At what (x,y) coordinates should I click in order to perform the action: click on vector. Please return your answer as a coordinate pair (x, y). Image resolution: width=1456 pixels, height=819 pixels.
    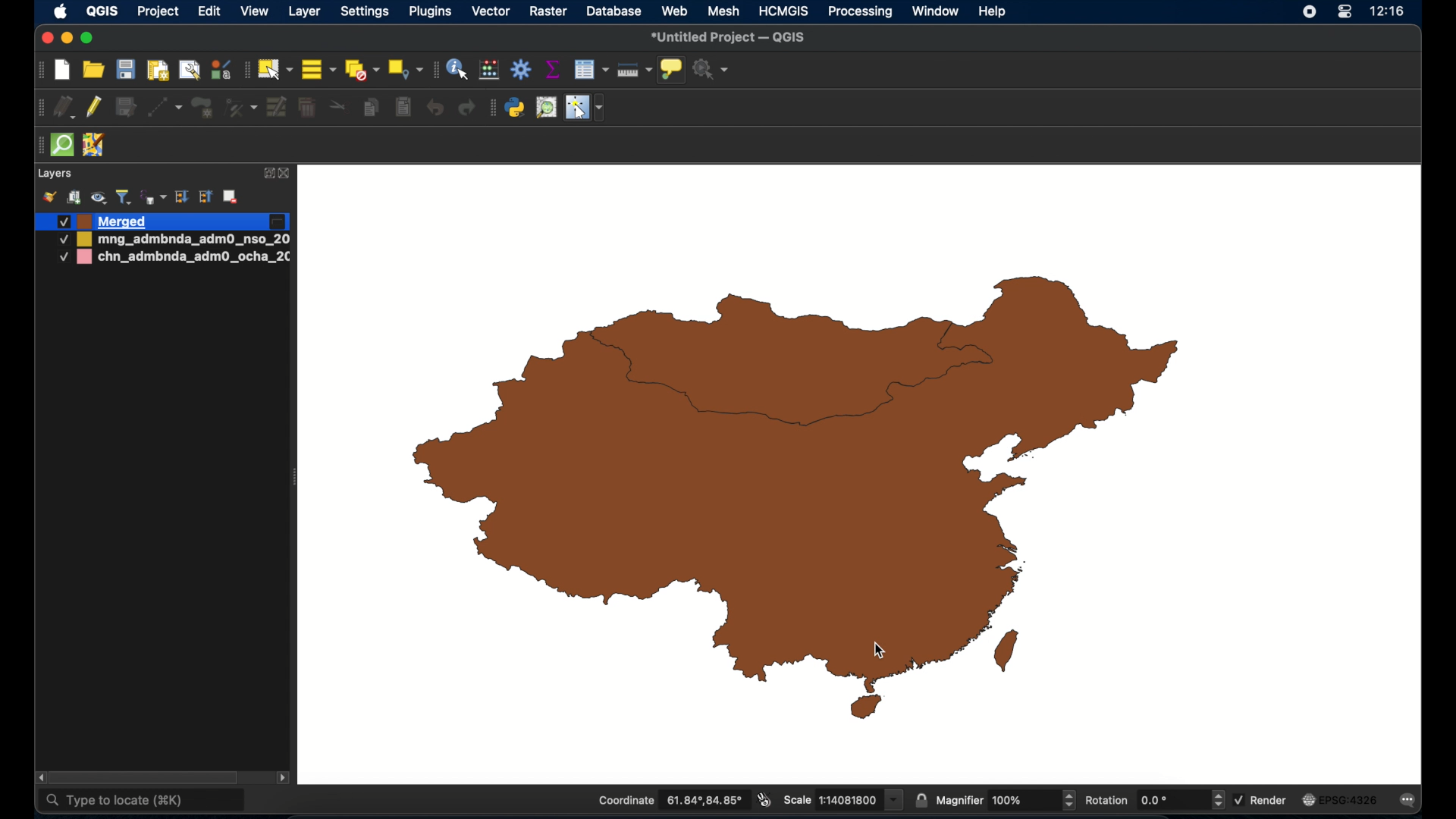
    Looking at the image, I should click on (491, 11).